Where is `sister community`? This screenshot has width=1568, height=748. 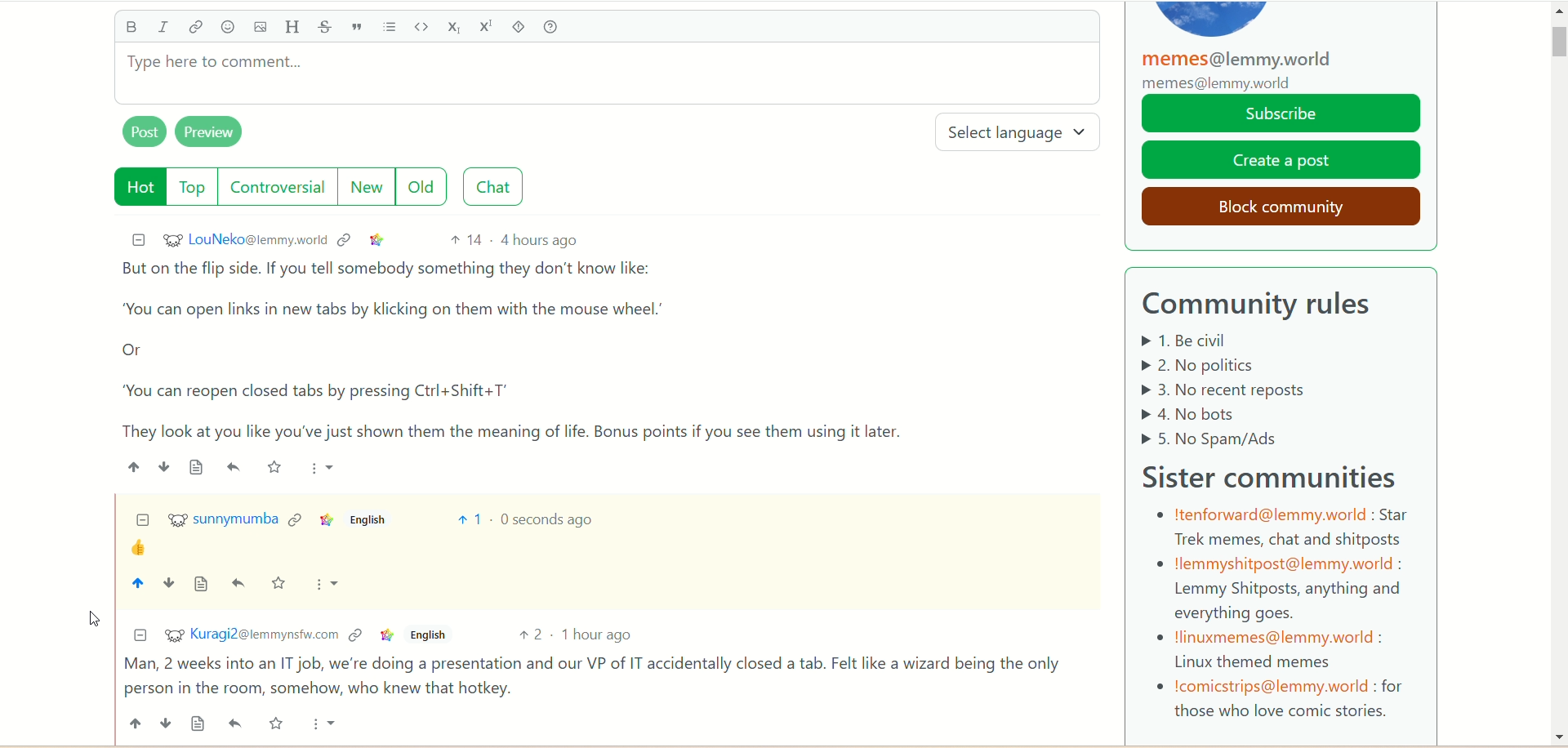 sister community is located at coordinates (1278, 474).